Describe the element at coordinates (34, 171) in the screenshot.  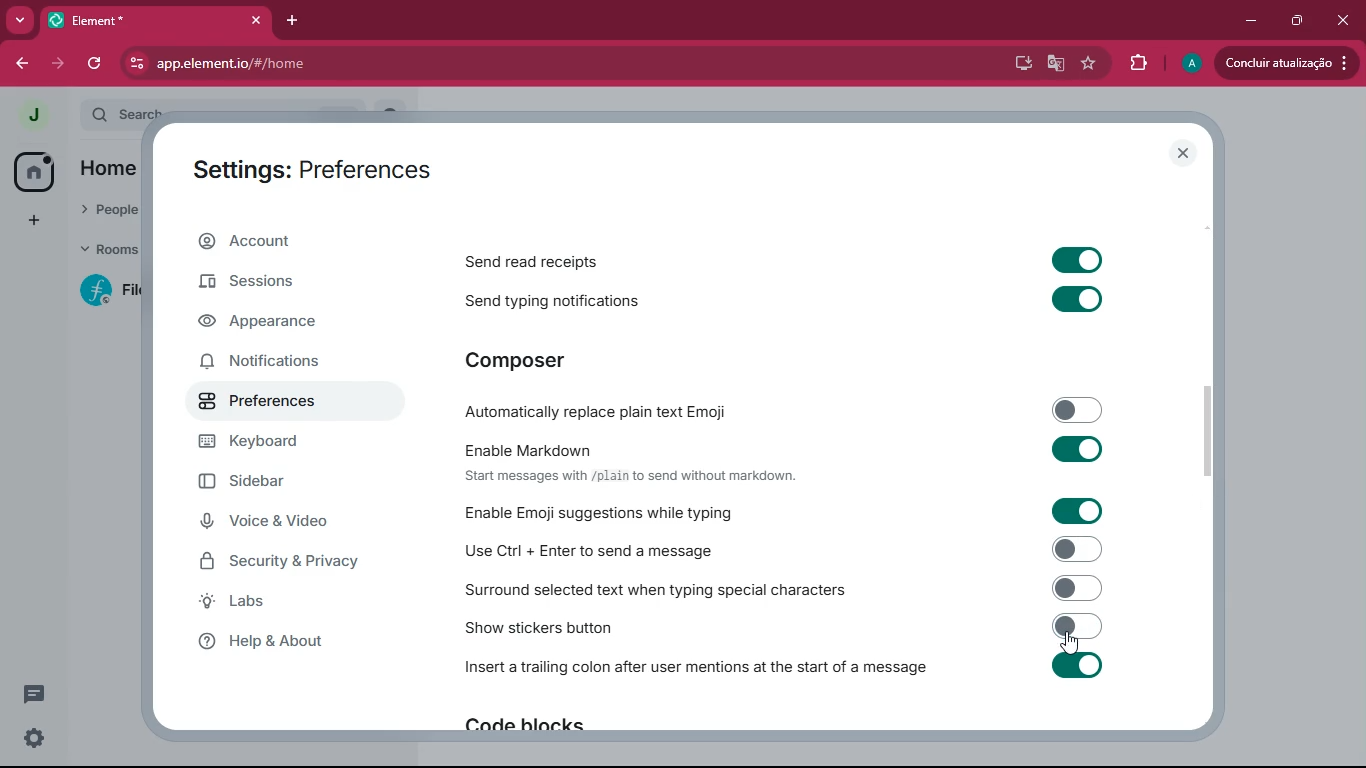
I see `home` at that location.